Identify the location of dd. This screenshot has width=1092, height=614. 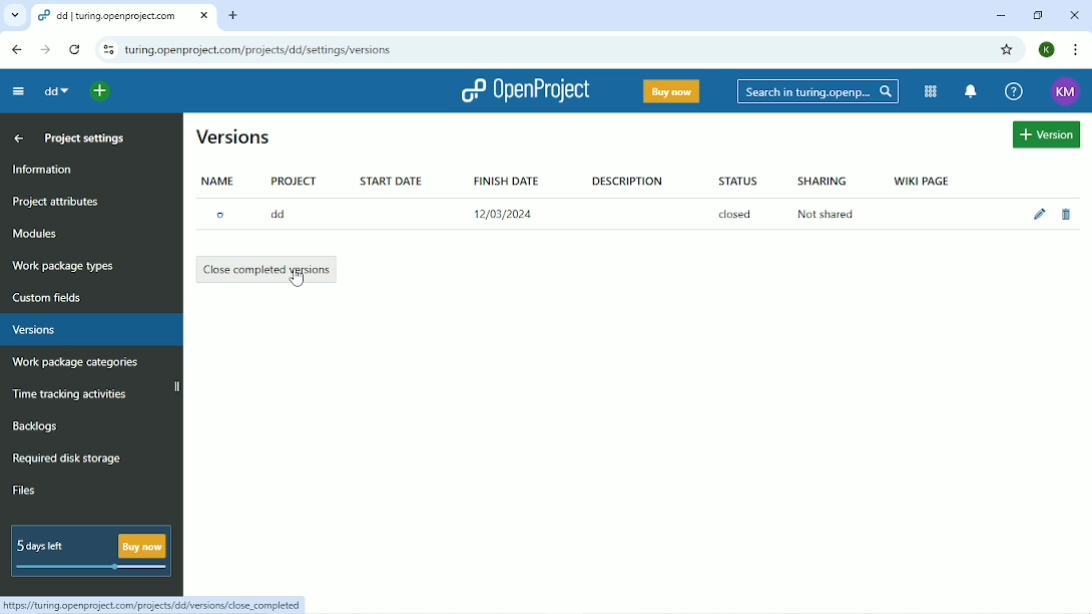
(55, 91).